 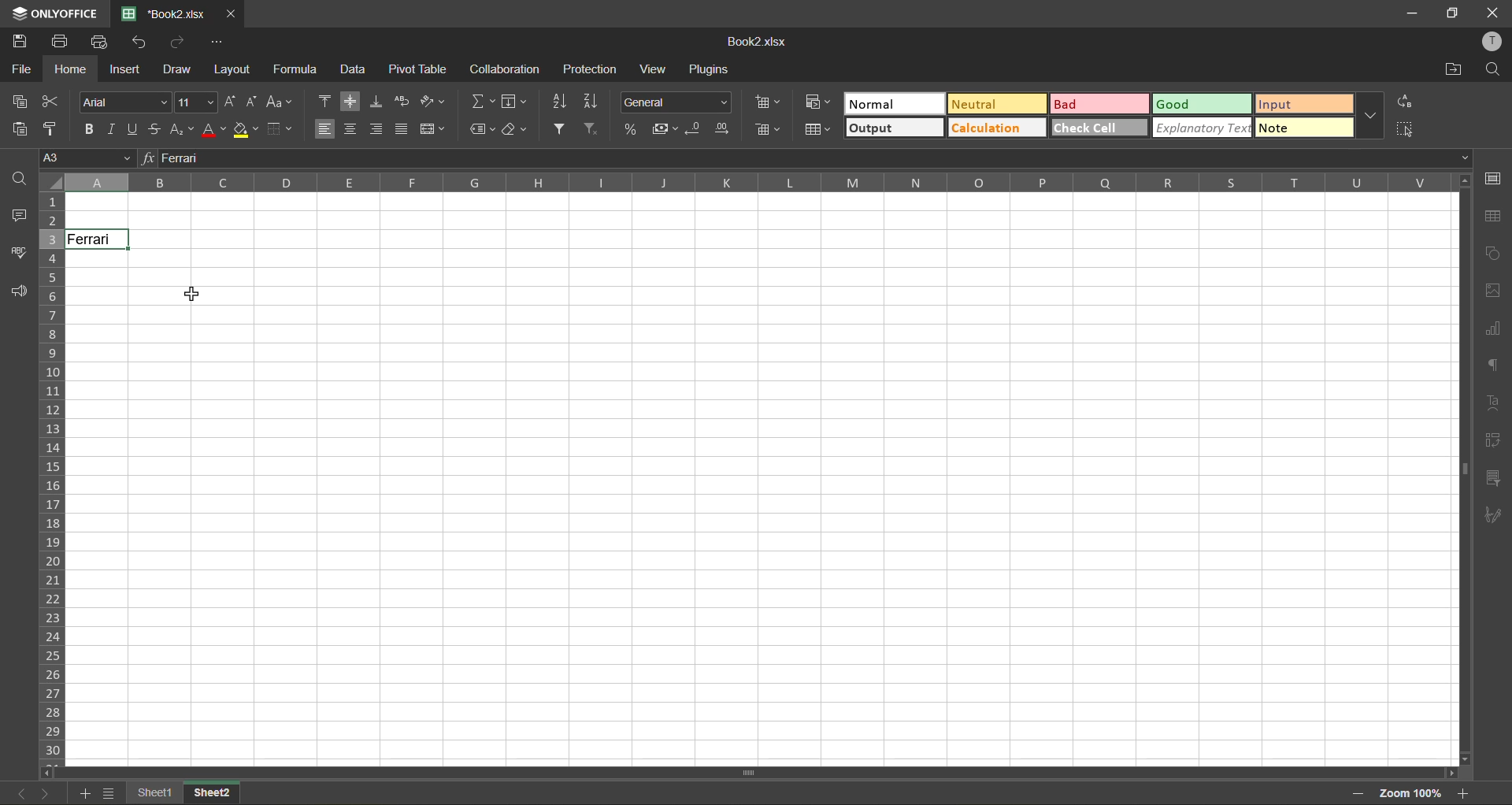 What do you see at coordinates (1358, 796) in the screenshot?
I see `zoom out` at bounding box center [1358, 796].